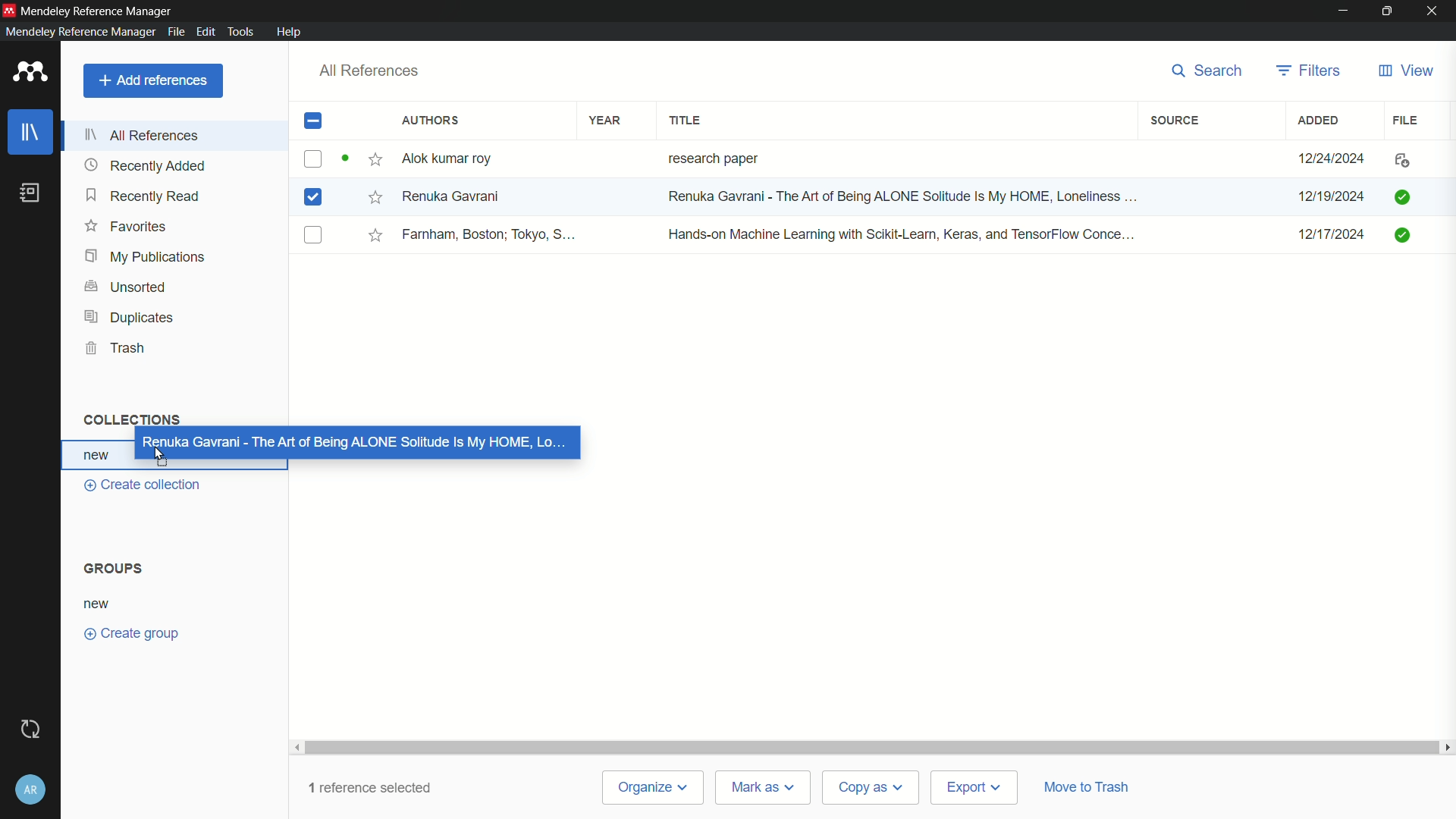 This screenshot has height=819, width=1456. I want to click on filters, so click(1310, 71).